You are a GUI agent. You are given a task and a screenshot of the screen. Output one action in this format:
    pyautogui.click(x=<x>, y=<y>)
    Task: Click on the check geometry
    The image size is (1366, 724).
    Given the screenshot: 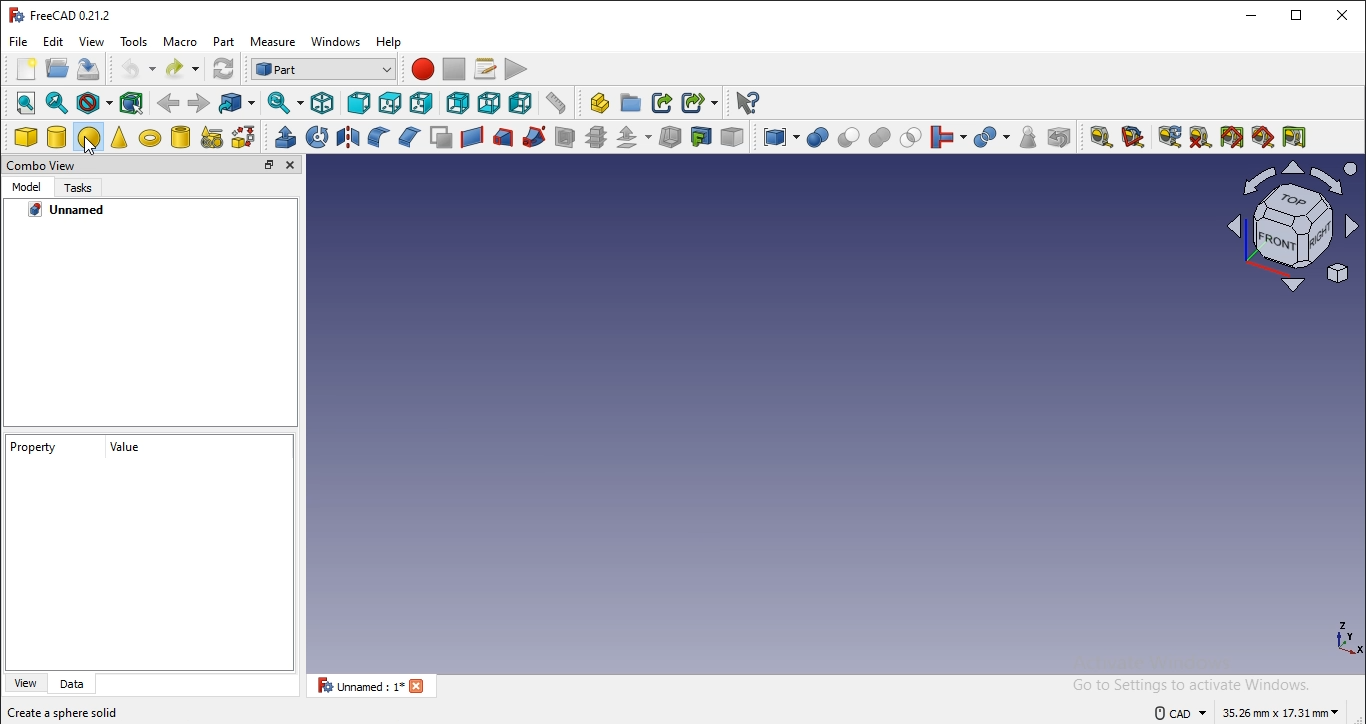 What is the action you would take?
    pyautogui.click(x=1027, y=138)
    